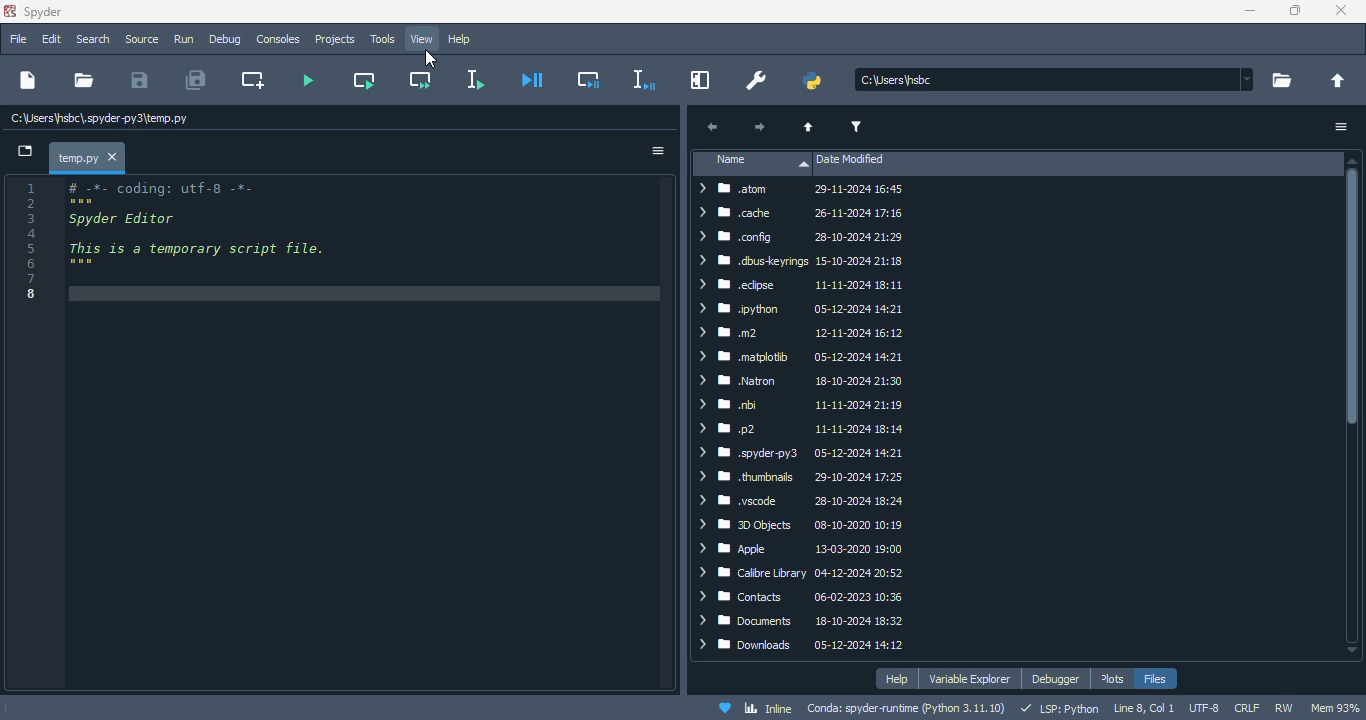 The width and height of the screenshot is (1366, 720). Describe the element at coordinates (660, 151) in the screenshot. I see `options` at that location.